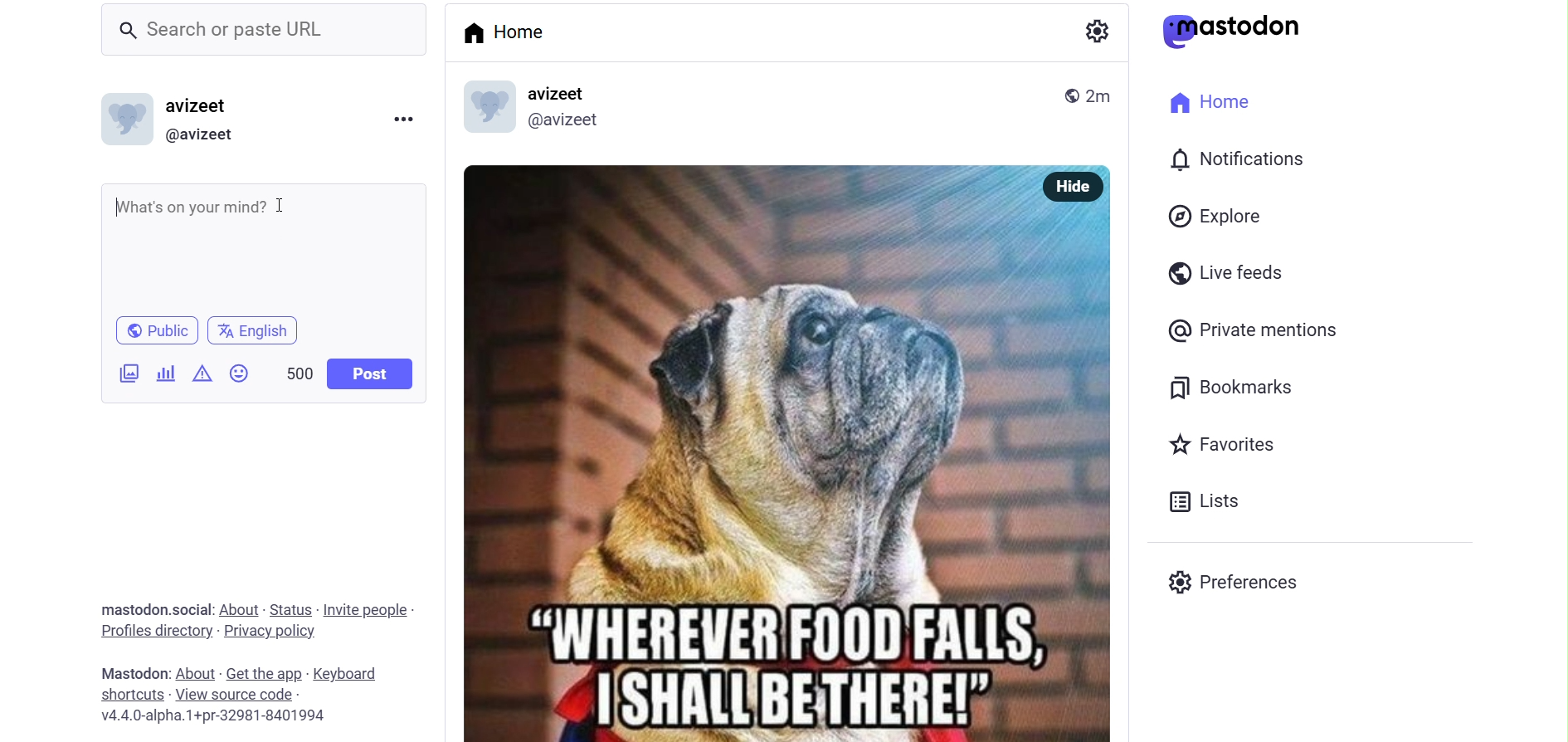 The image size is (1568, 742). I want to click on public, so click(1055, 91).